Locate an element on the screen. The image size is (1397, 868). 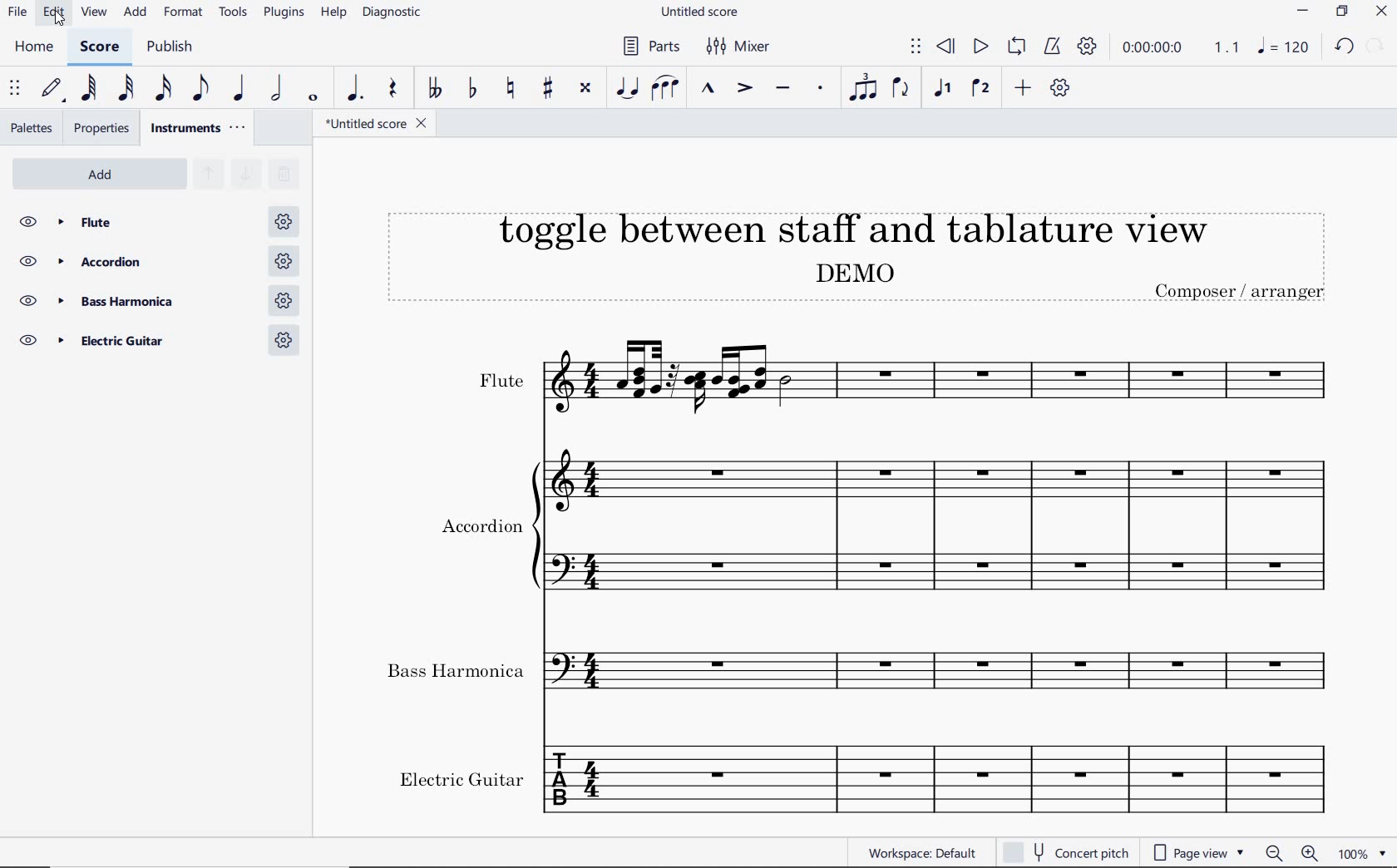
half note is located at coordinates (279, 89).